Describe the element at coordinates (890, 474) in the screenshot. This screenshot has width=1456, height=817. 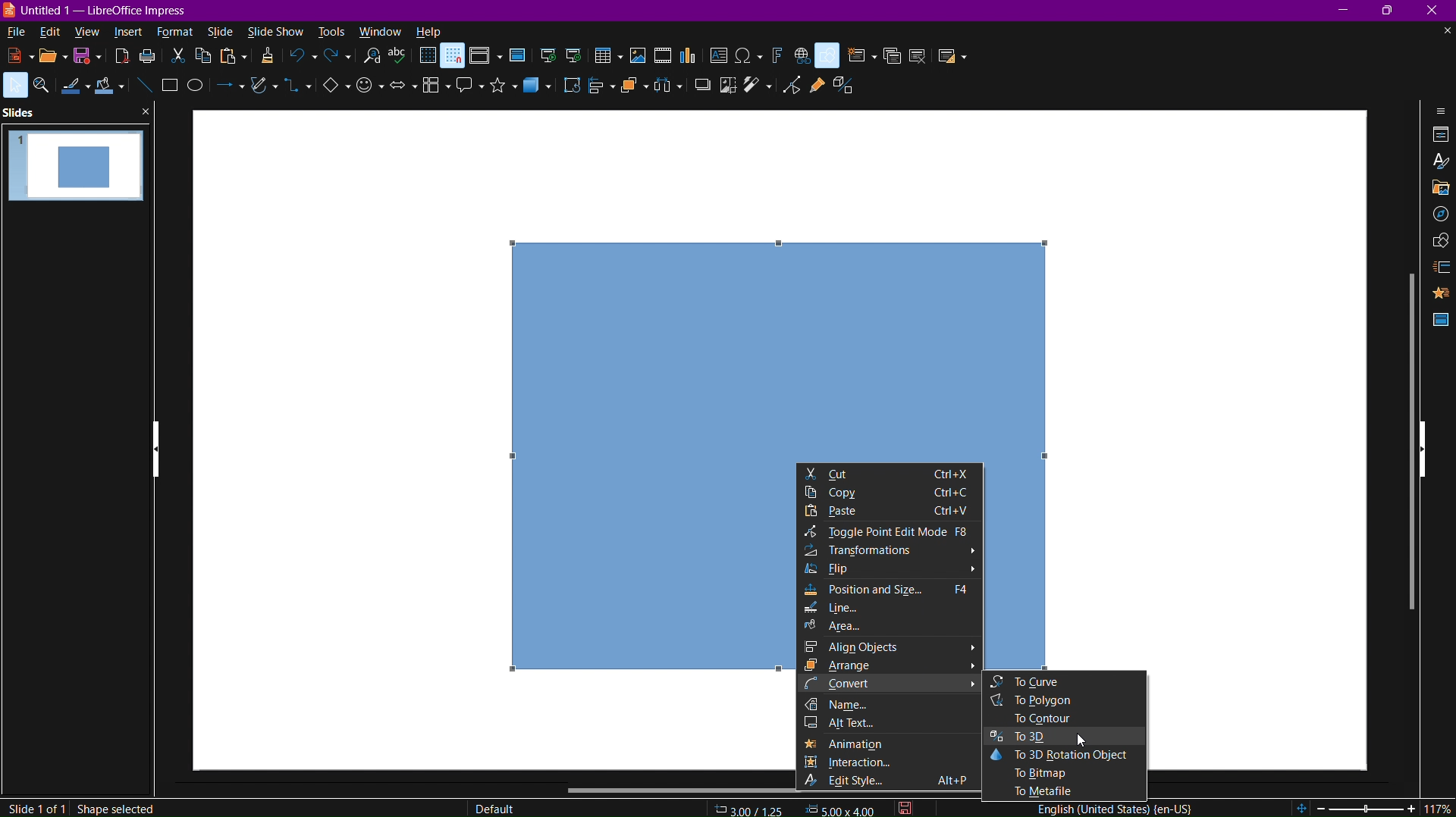
I see `Cut` at that location.